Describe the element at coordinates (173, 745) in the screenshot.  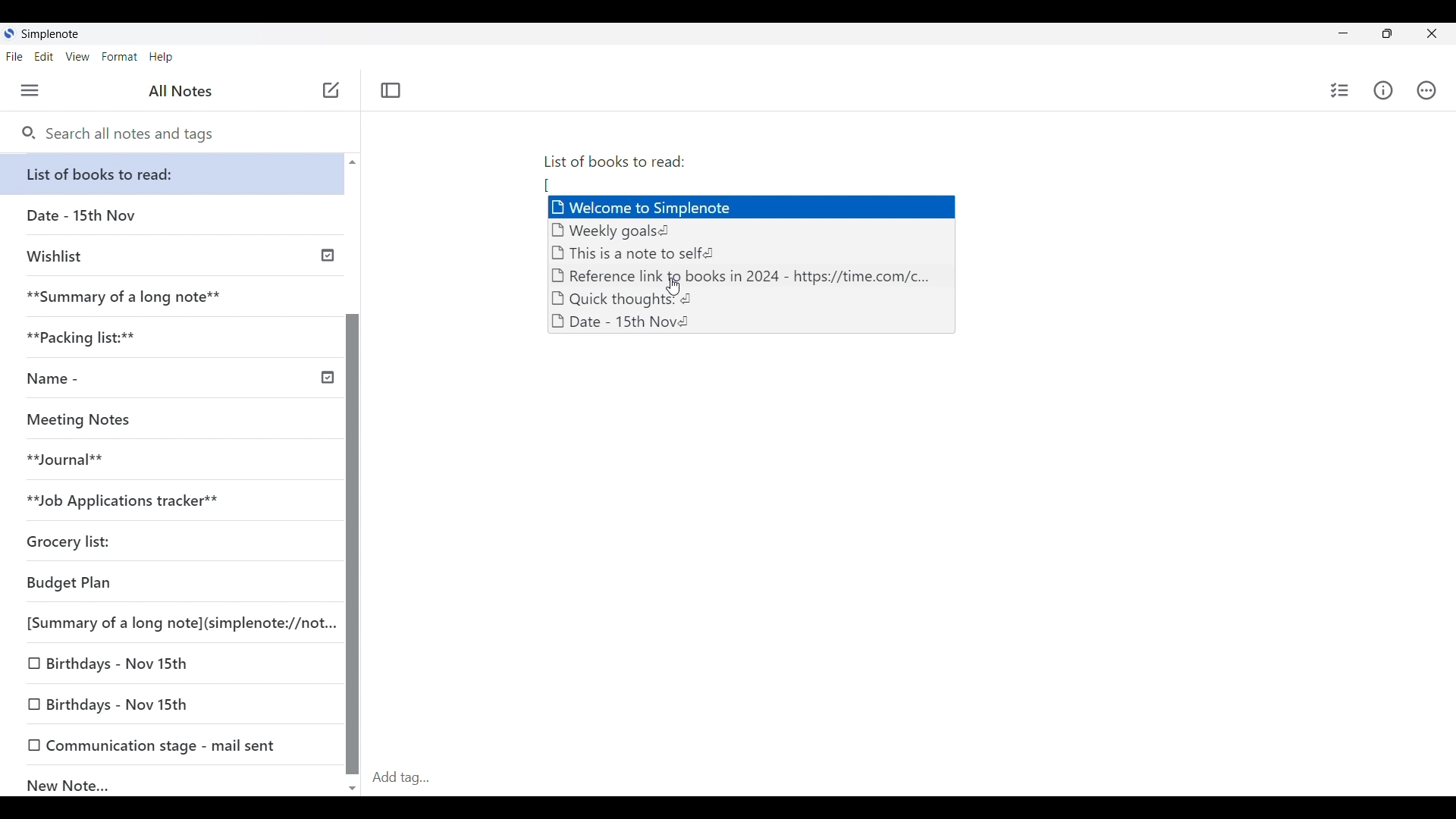
I see `Communication stage - mail sent` at that location.